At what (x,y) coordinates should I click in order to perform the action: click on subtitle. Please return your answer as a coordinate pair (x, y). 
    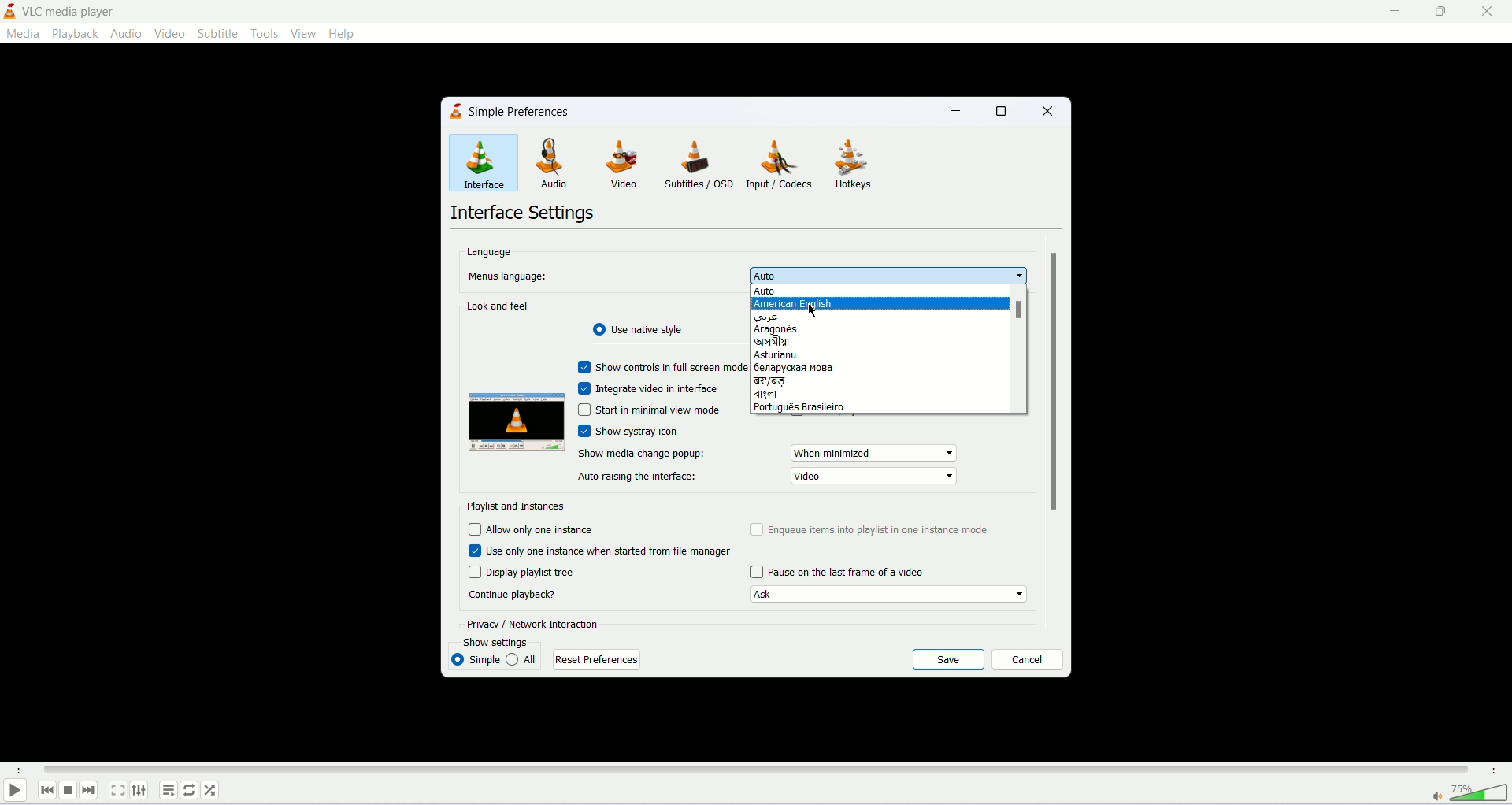
    Looking at the image, I should click on (220, 34).